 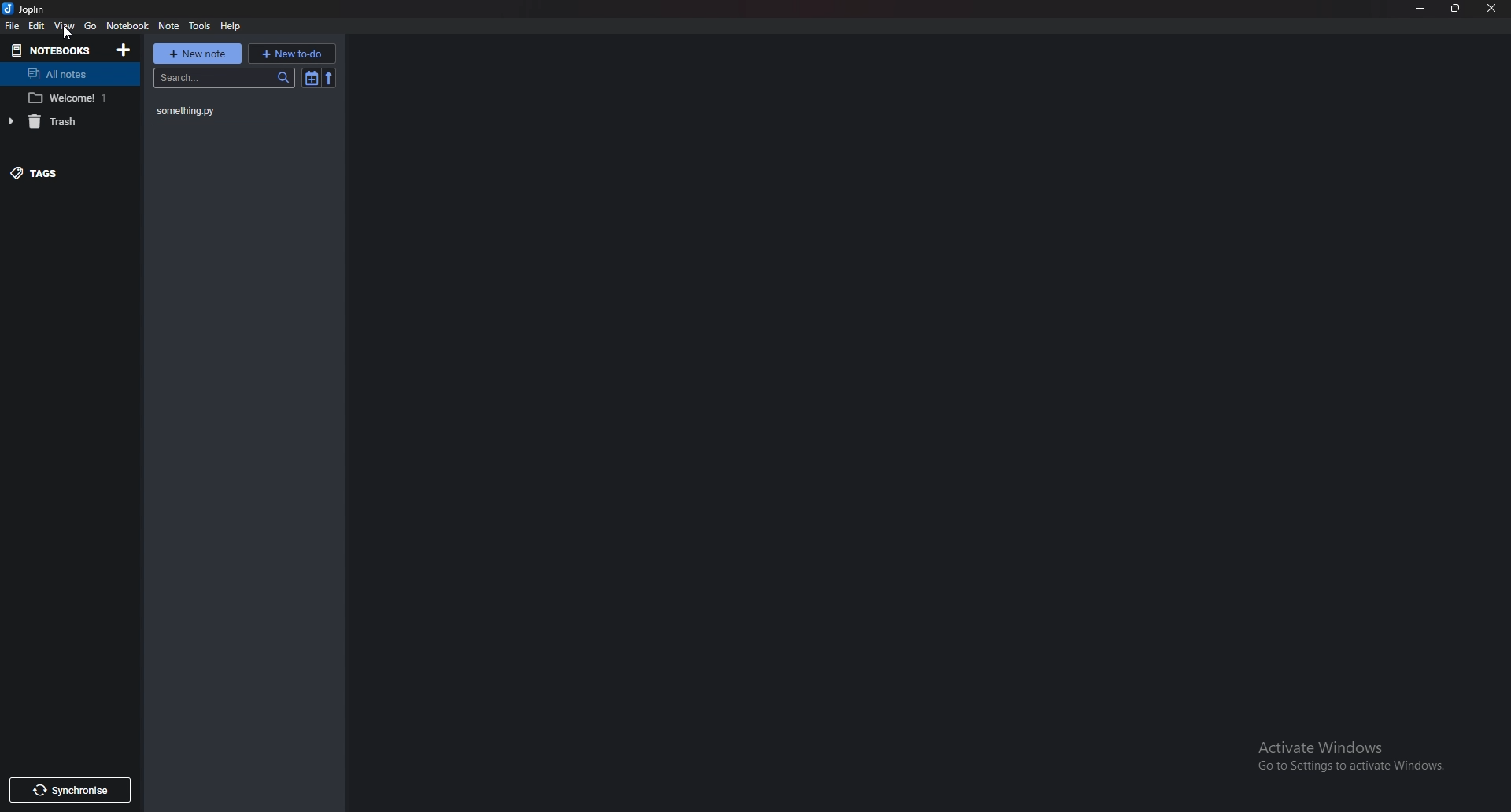 What do you see at coordinates (65, 26) in the screenshot?
I see `View` at bounding box center [65, 26].